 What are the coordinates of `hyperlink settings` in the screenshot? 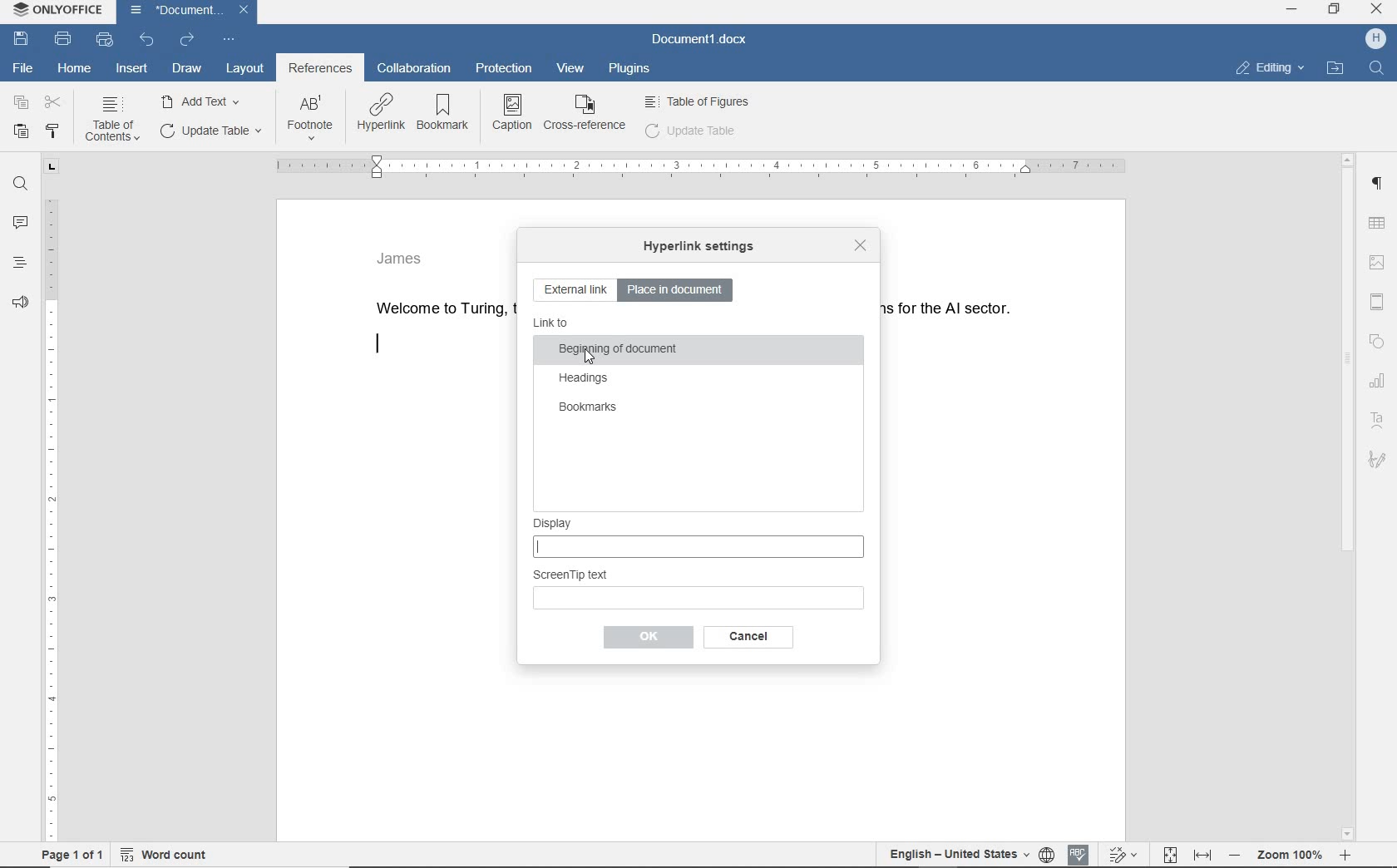 It's located at (698, 248).